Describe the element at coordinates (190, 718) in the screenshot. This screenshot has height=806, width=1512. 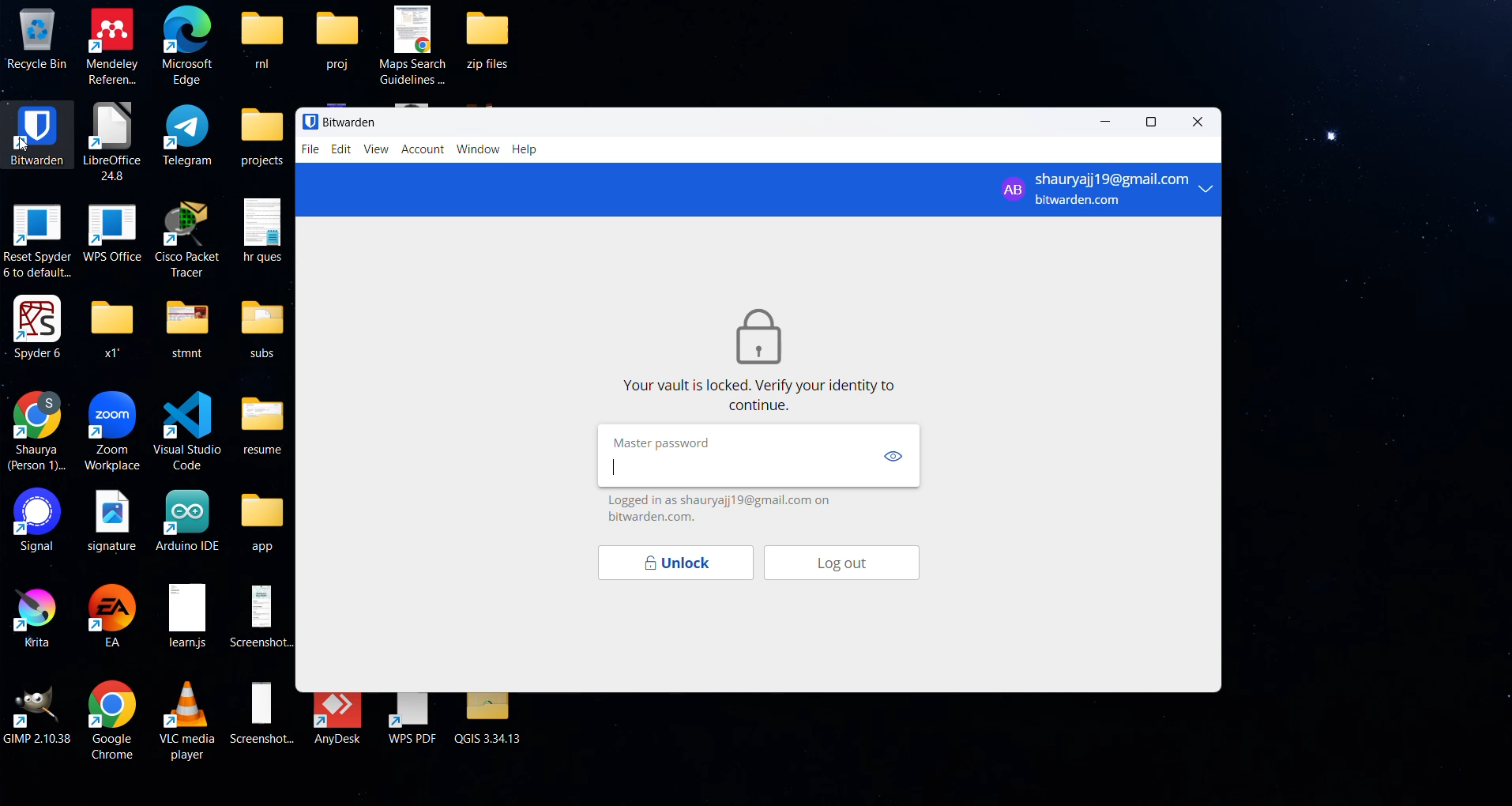
I see `VLC media player` at that location.